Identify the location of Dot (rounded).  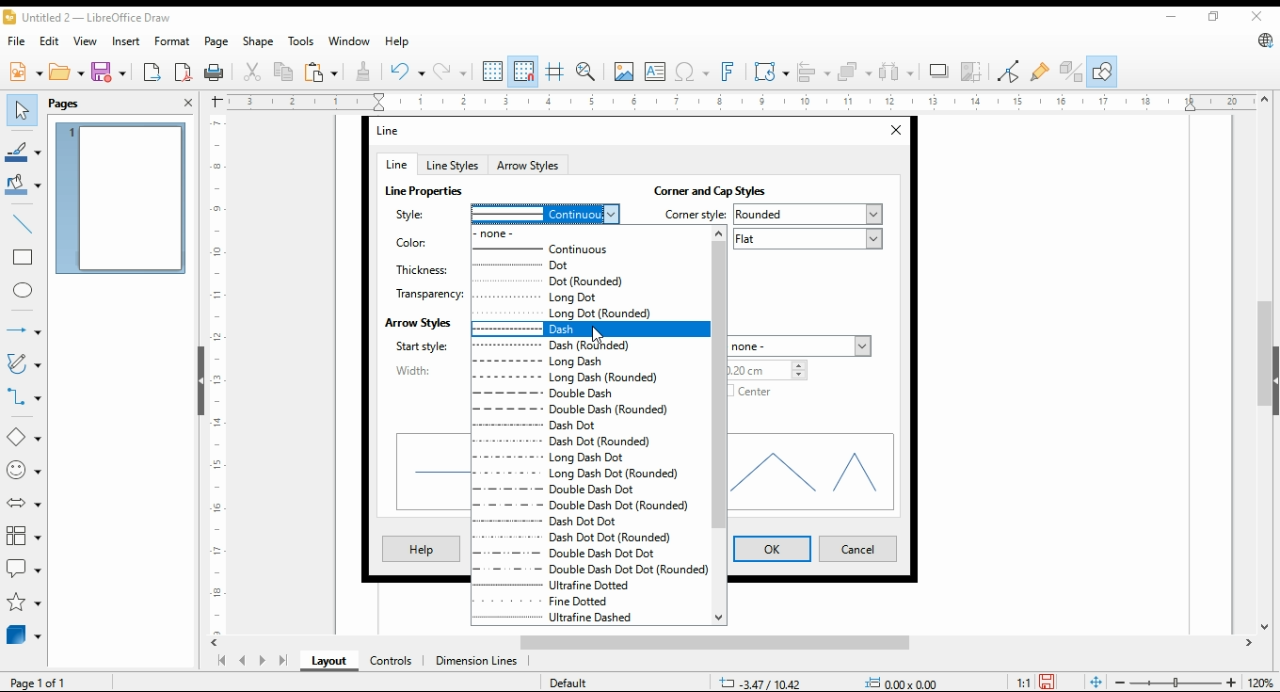
(589, 280).